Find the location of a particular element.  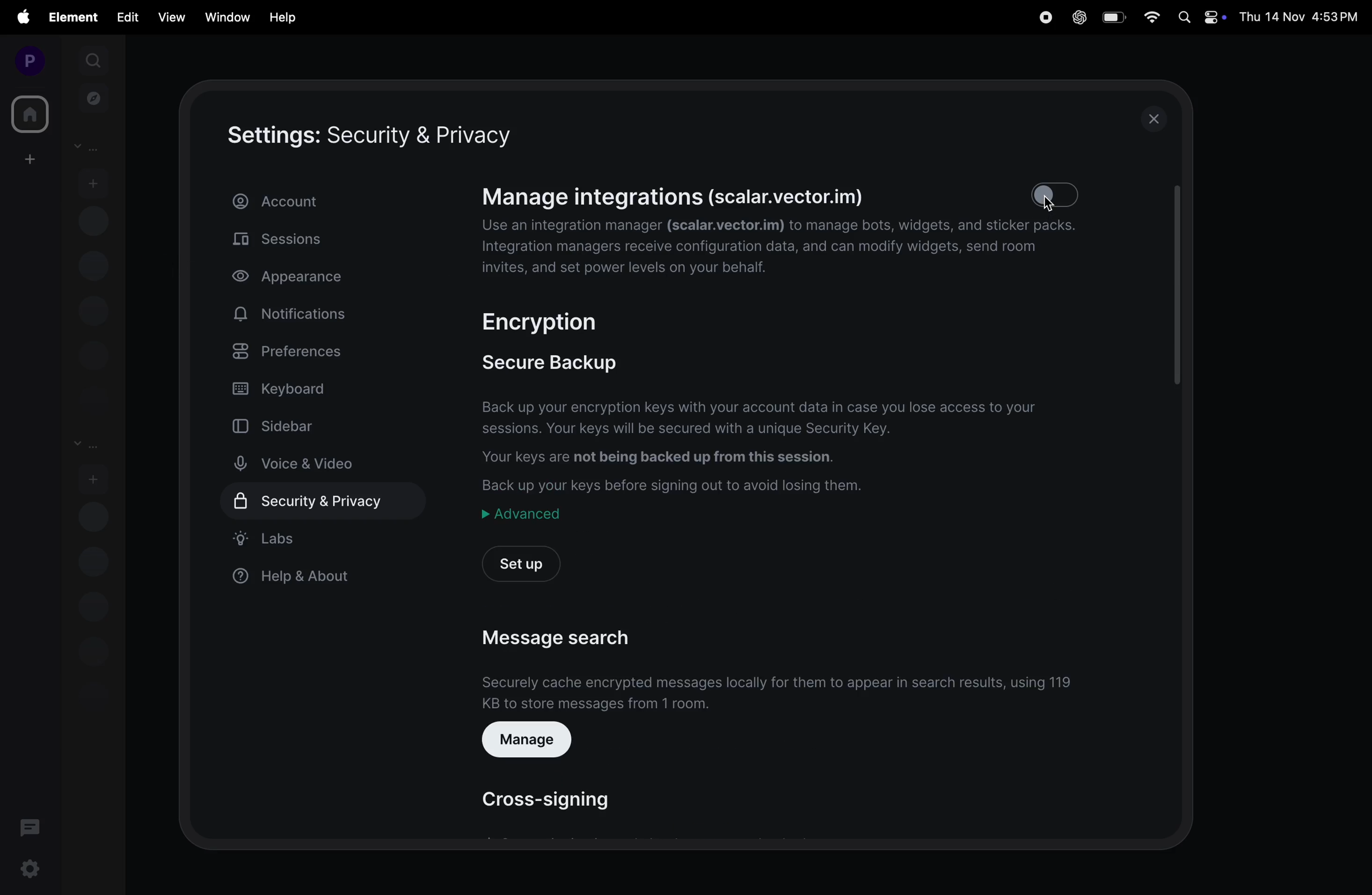

People is located at coordinates (91, 148).